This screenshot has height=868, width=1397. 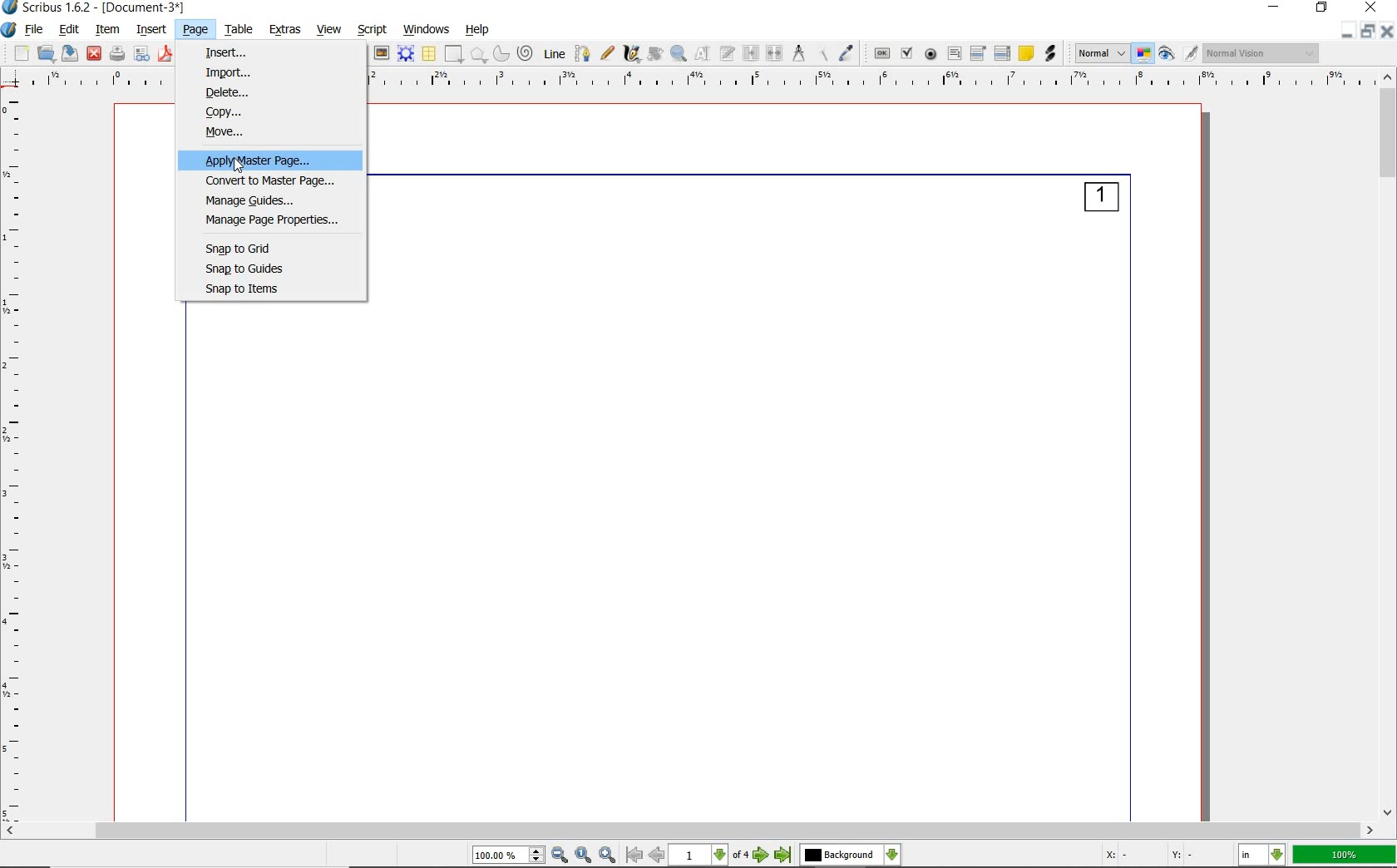 What do you see at coordinates (1348, 32) in the screenshot?
I see `Minimize` at bounding box center [1348, 32].